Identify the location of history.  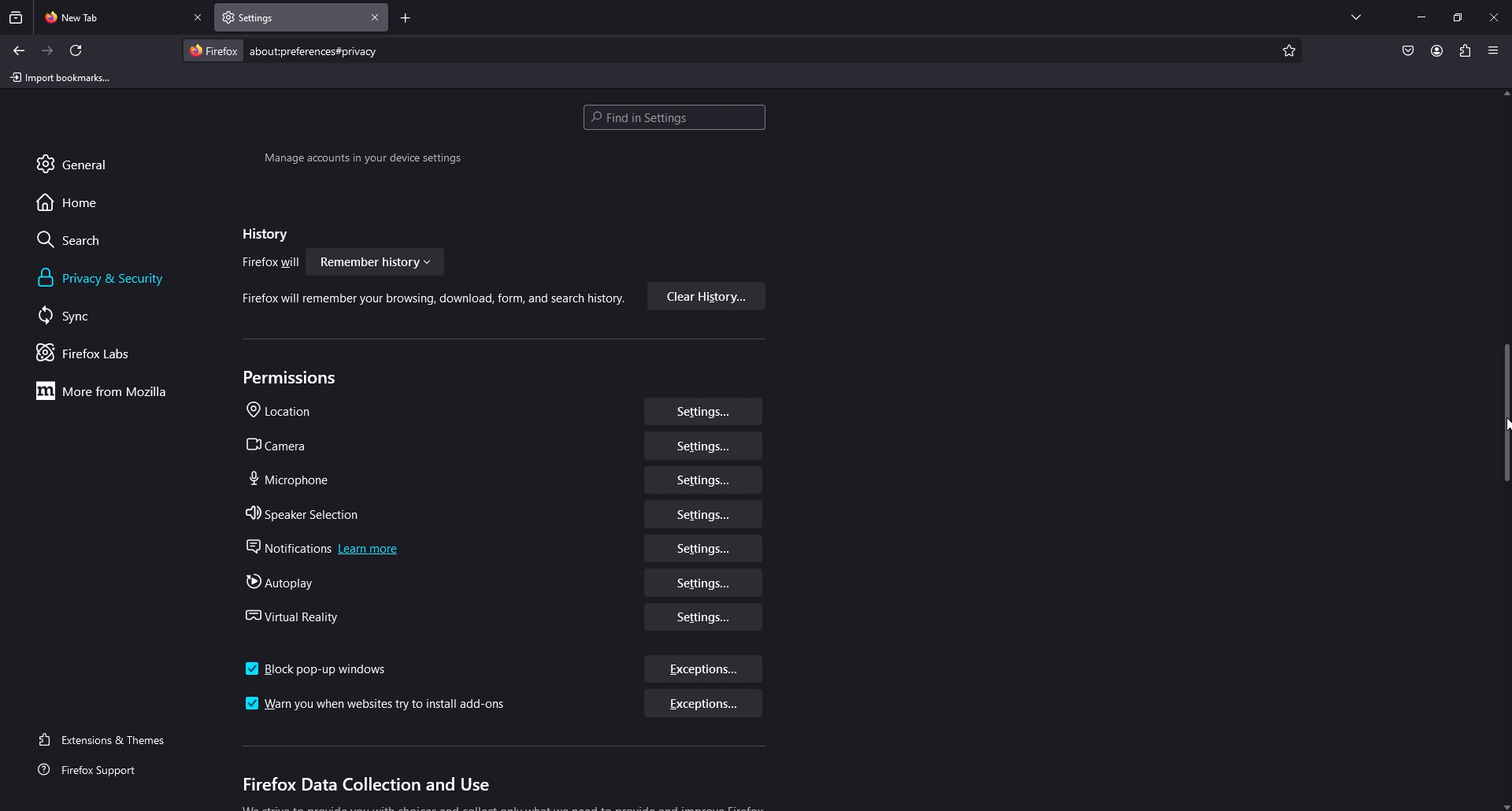
(261, 235).